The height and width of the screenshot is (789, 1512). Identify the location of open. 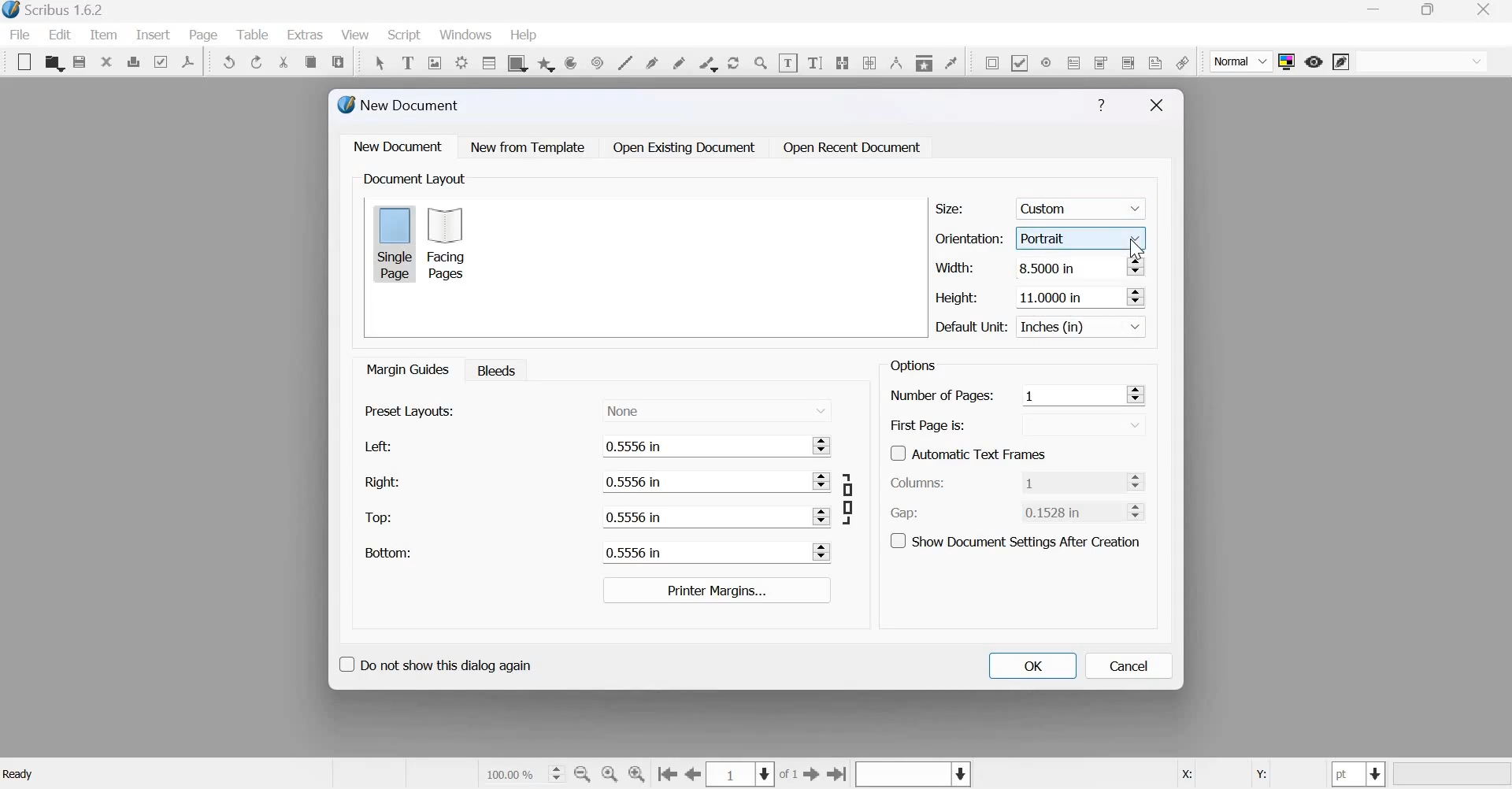
(54, 63).